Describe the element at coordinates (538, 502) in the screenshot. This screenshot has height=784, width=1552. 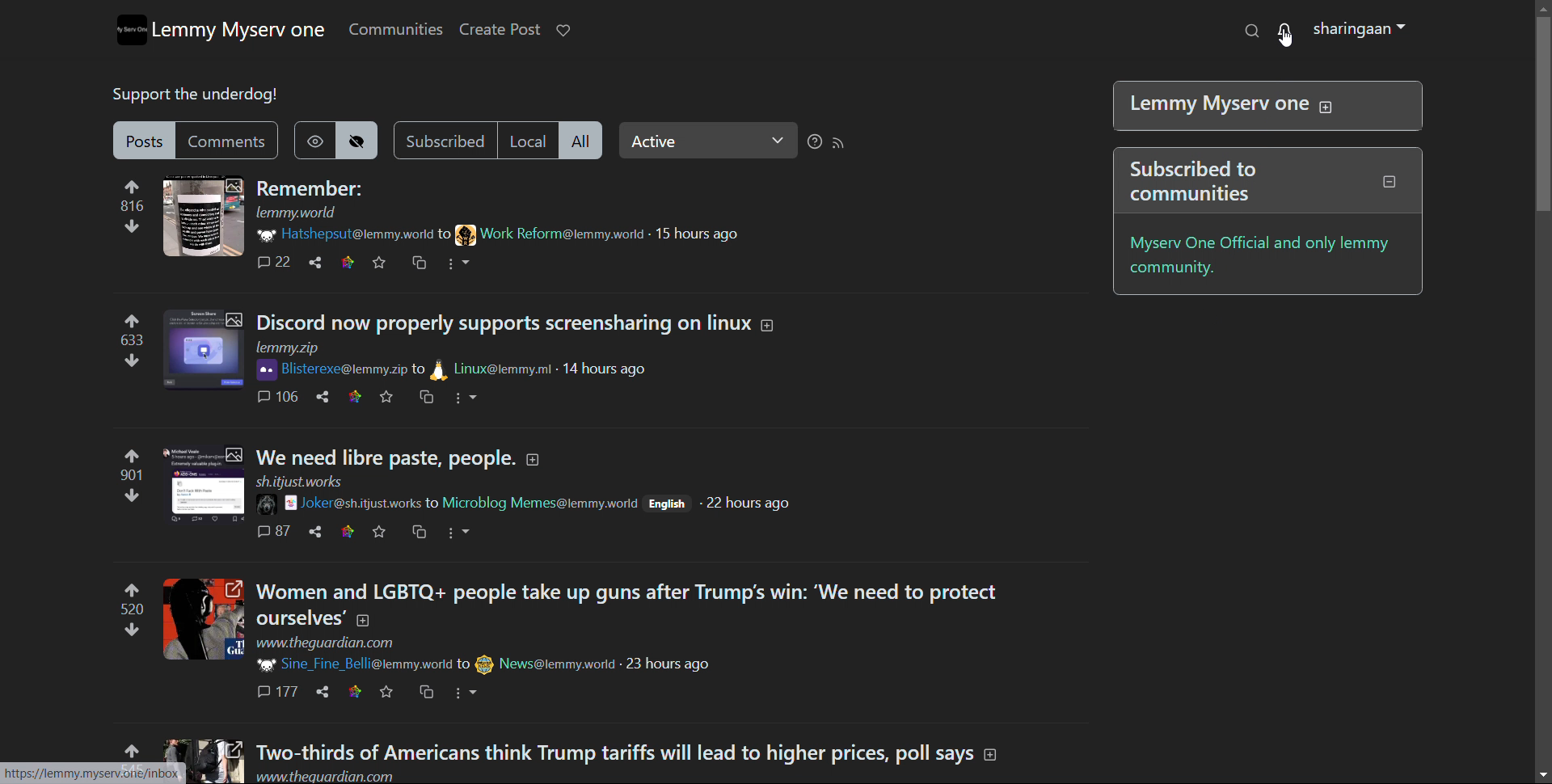
I see `community` at that location.